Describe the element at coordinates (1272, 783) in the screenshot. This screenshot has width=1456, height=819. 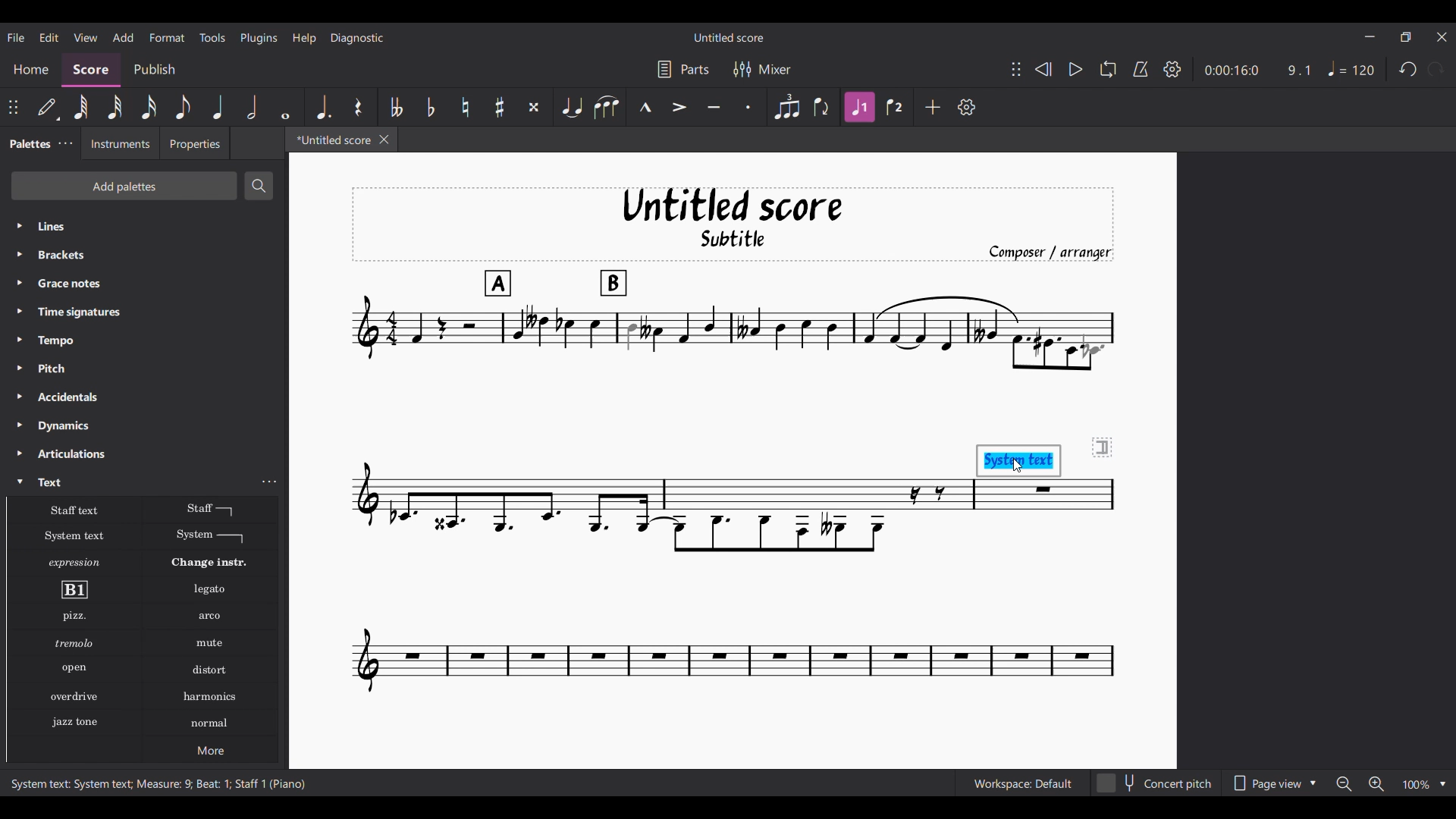
I see `Page view options` at that location.